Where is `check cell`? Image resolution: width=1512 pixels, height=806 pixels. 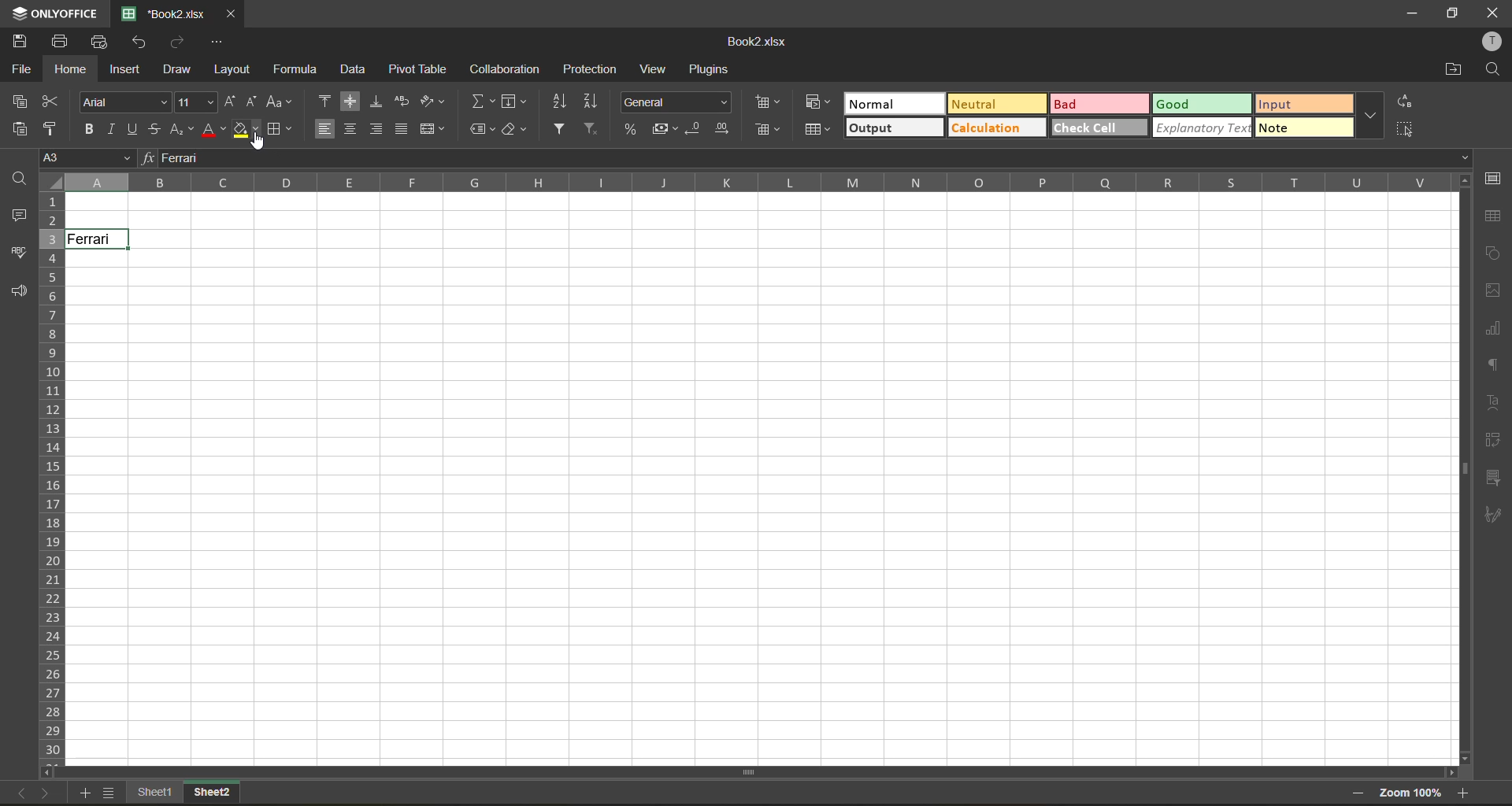 check cell is located at coordinates (1101, 129).